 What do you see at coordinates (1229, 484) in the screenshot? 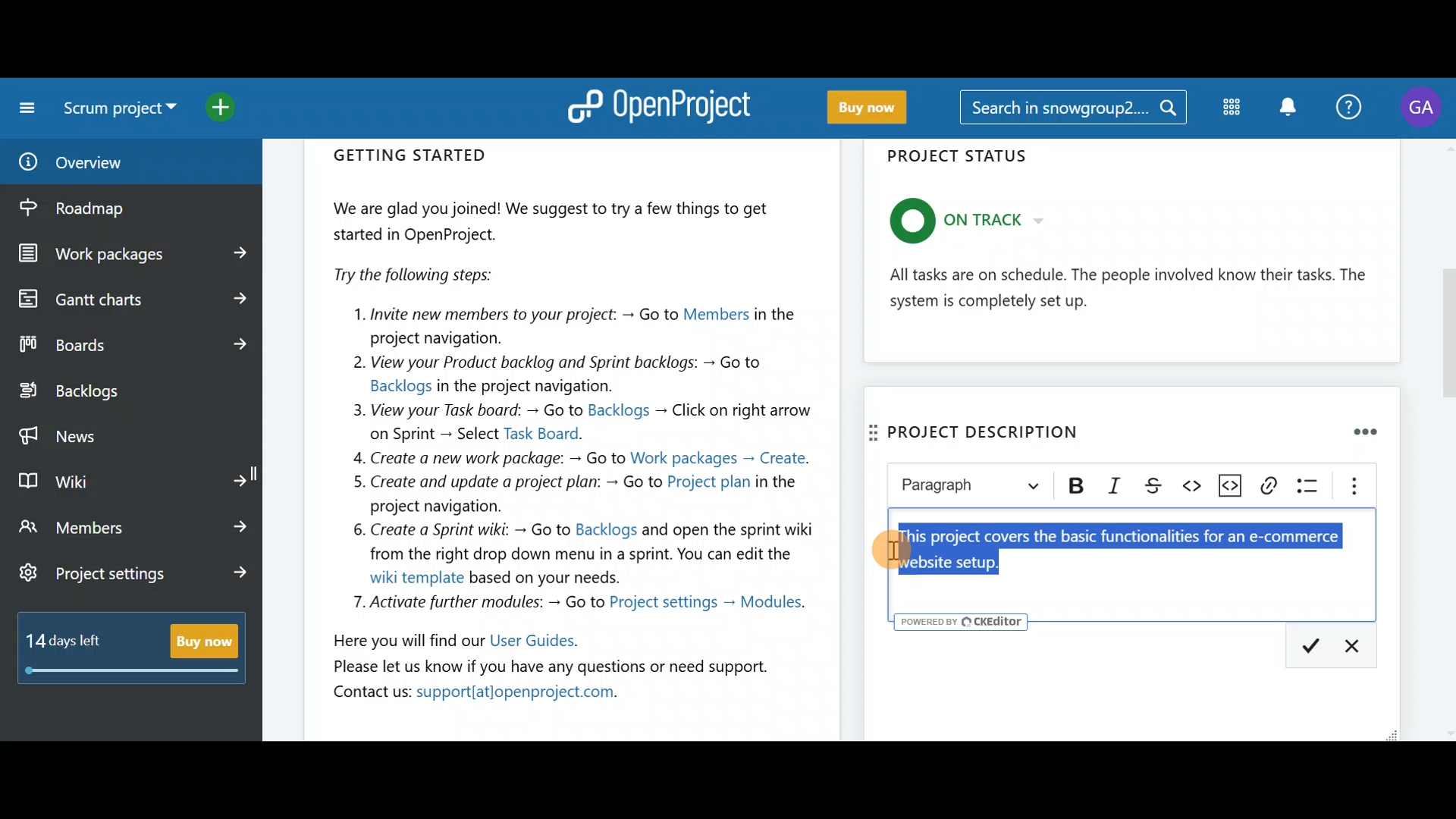
I see `Insert code snippet` at bounding box center [1229, 484].